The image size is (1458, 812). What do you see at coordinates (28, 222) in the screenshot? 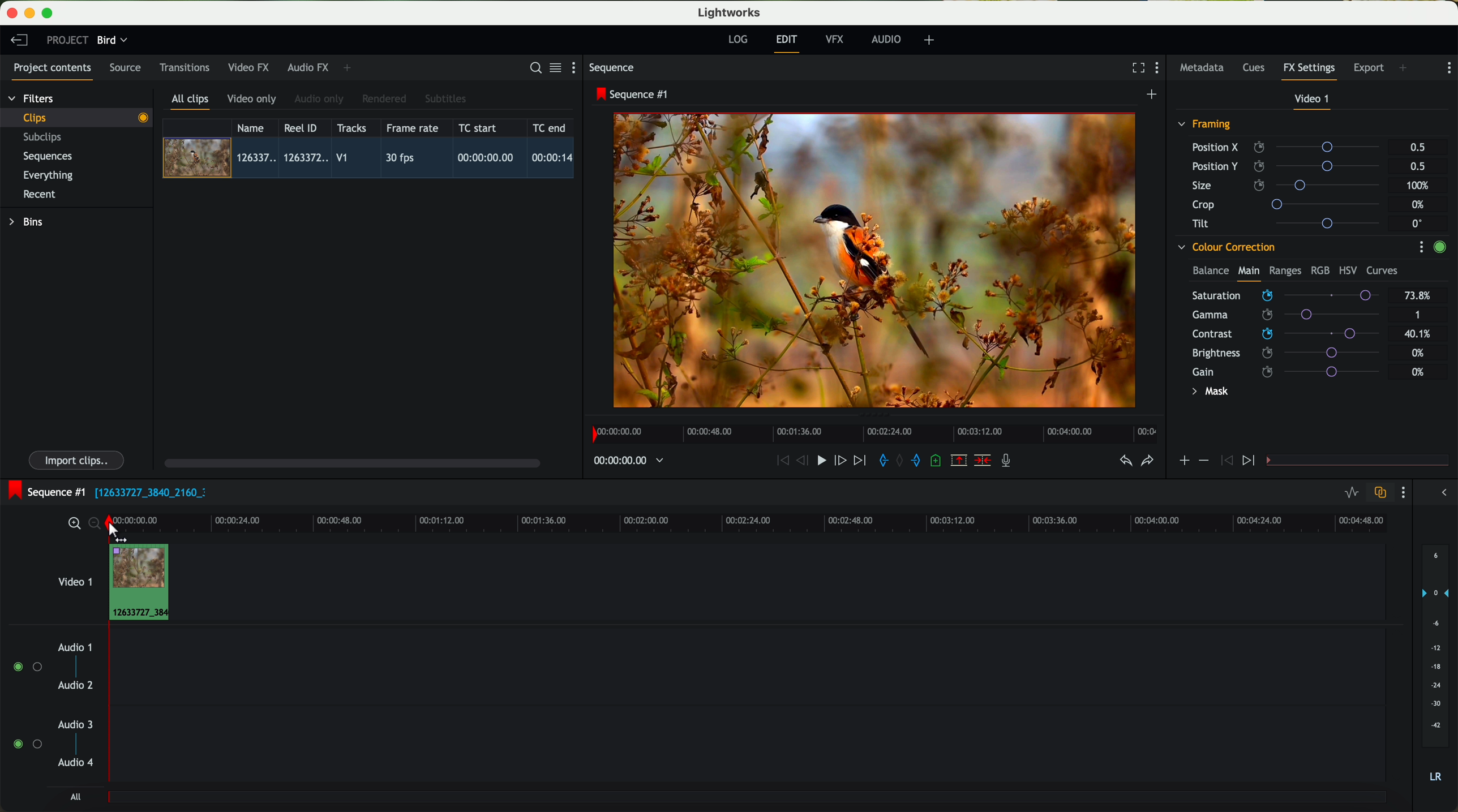
I see `bins` at bounding box center [28, 222].